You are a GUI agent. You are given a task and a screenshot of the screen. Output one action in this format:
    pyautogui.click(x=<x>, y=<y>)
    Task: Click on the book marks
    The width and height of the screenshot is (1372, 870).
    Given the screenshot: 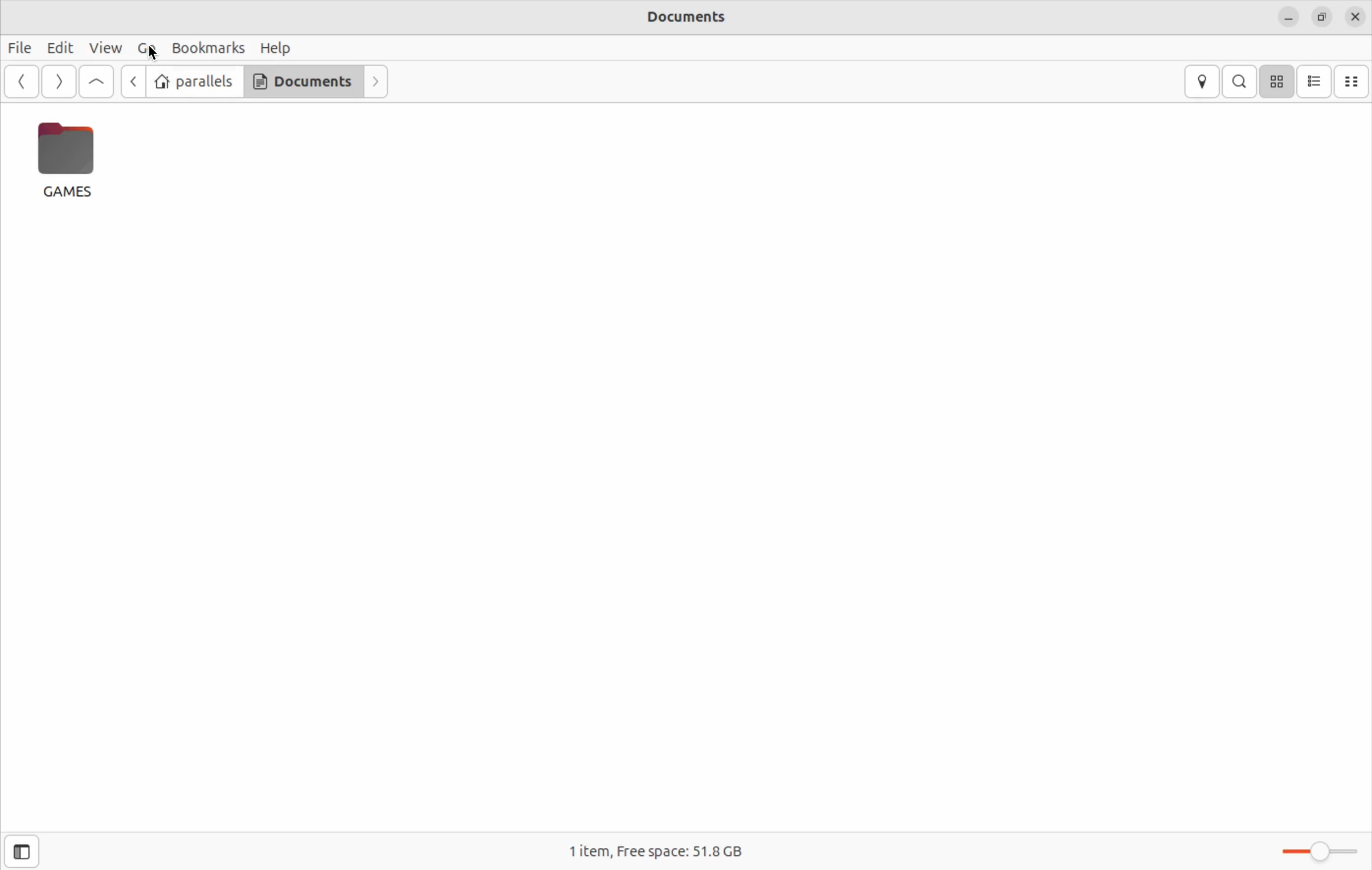 What is the action you would take?
    pyautogui.click(x=207, y=48)
    